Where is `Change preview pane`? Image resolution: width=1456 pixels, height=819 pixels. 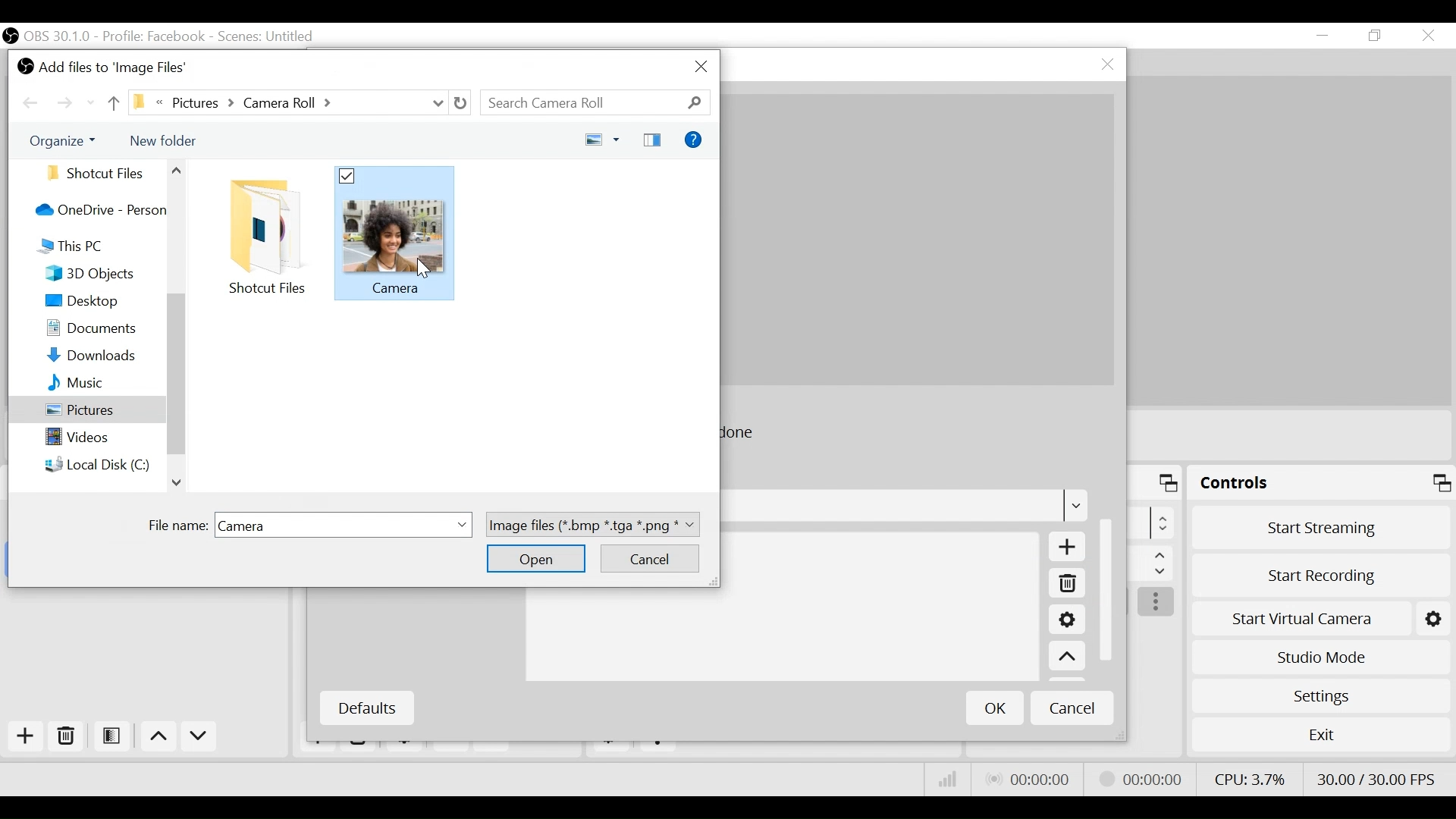
Change preview pane is located at coordinates (654, 138).